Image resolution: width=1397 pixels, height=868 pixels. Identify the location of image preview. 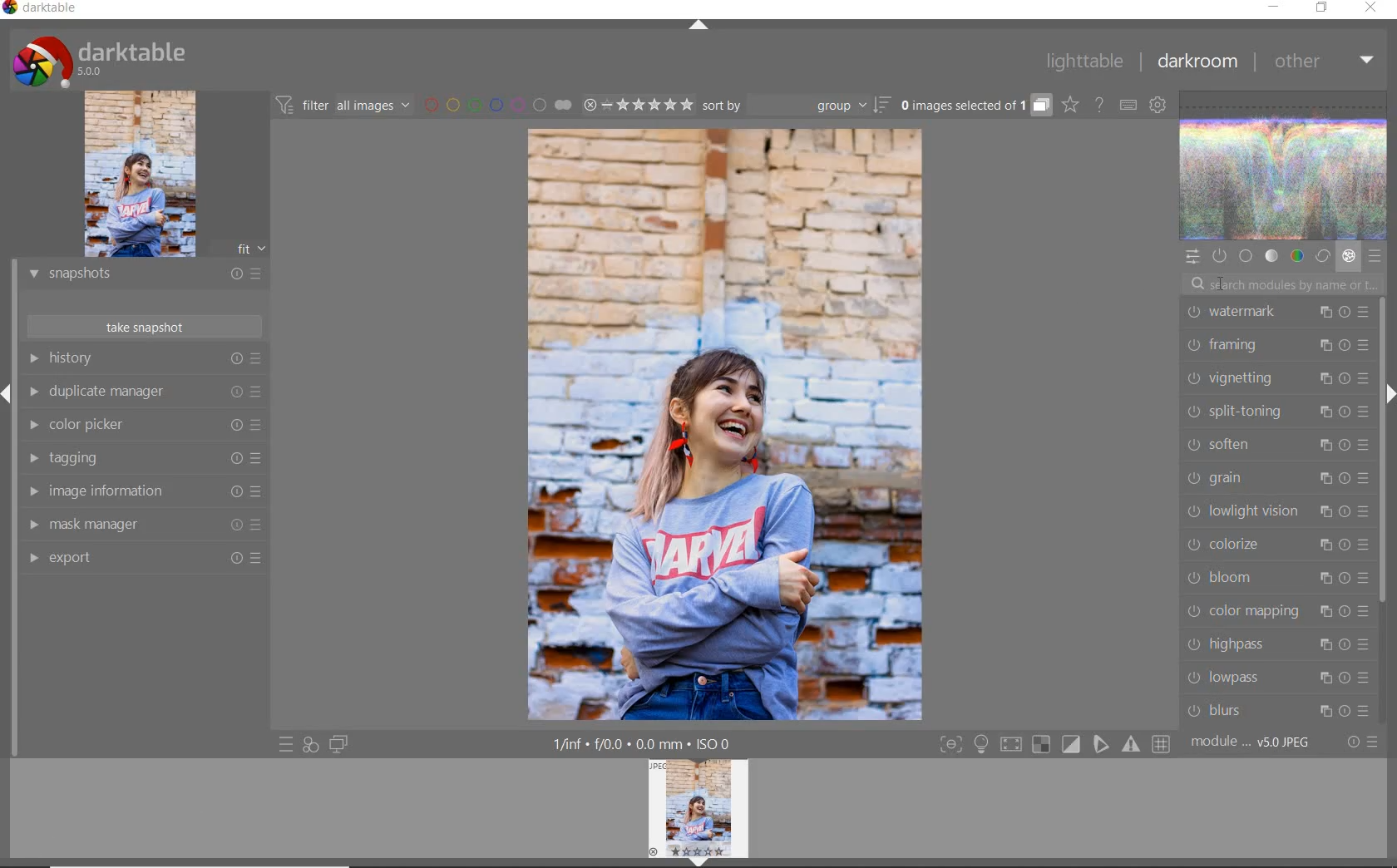
(165, 175).